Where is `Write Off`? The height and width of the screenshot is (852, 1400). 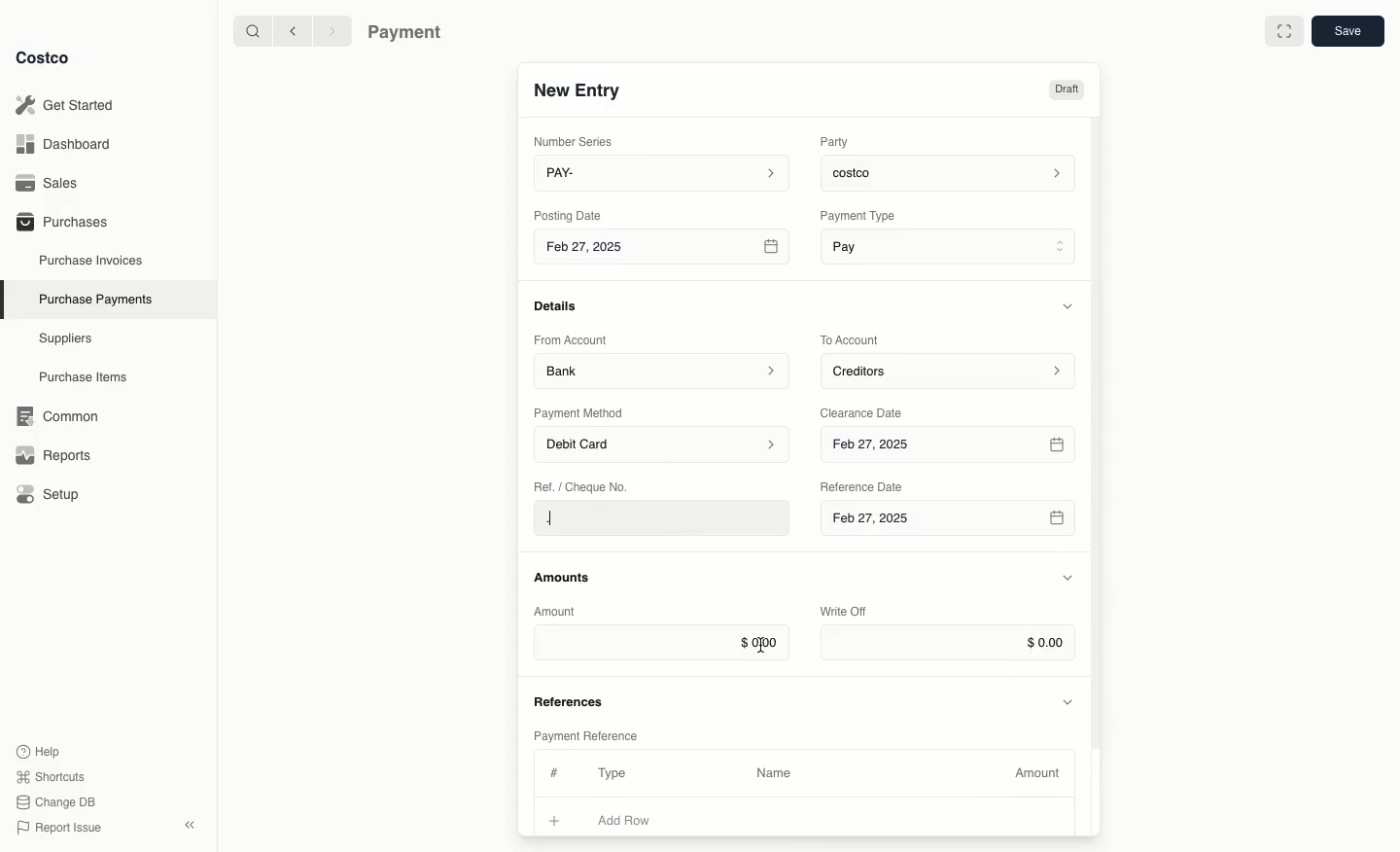
Write Off is located at coordinates (844, 613).